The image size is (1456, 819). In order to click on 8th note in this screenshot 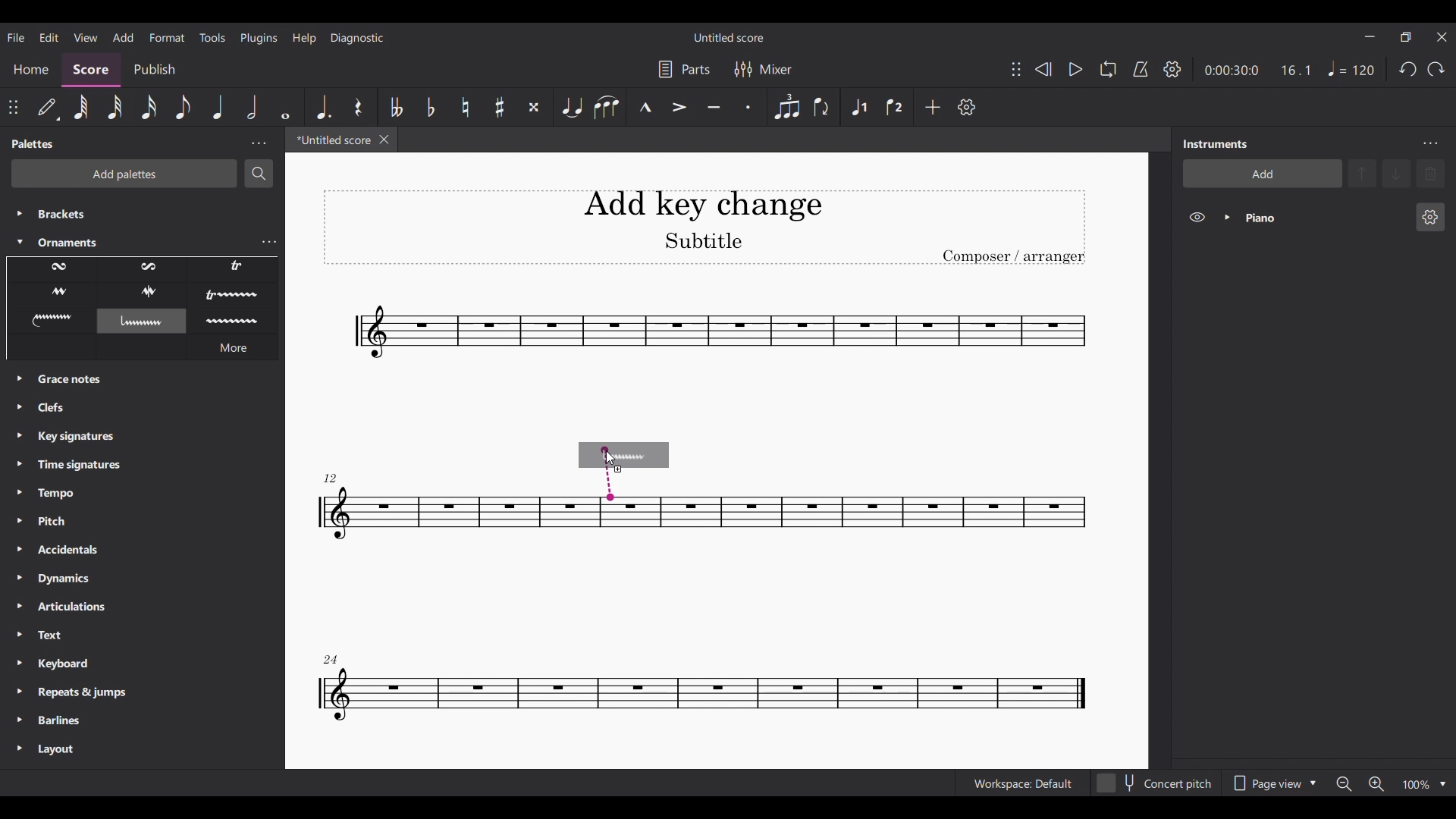, I will do `click(183, 107)`.